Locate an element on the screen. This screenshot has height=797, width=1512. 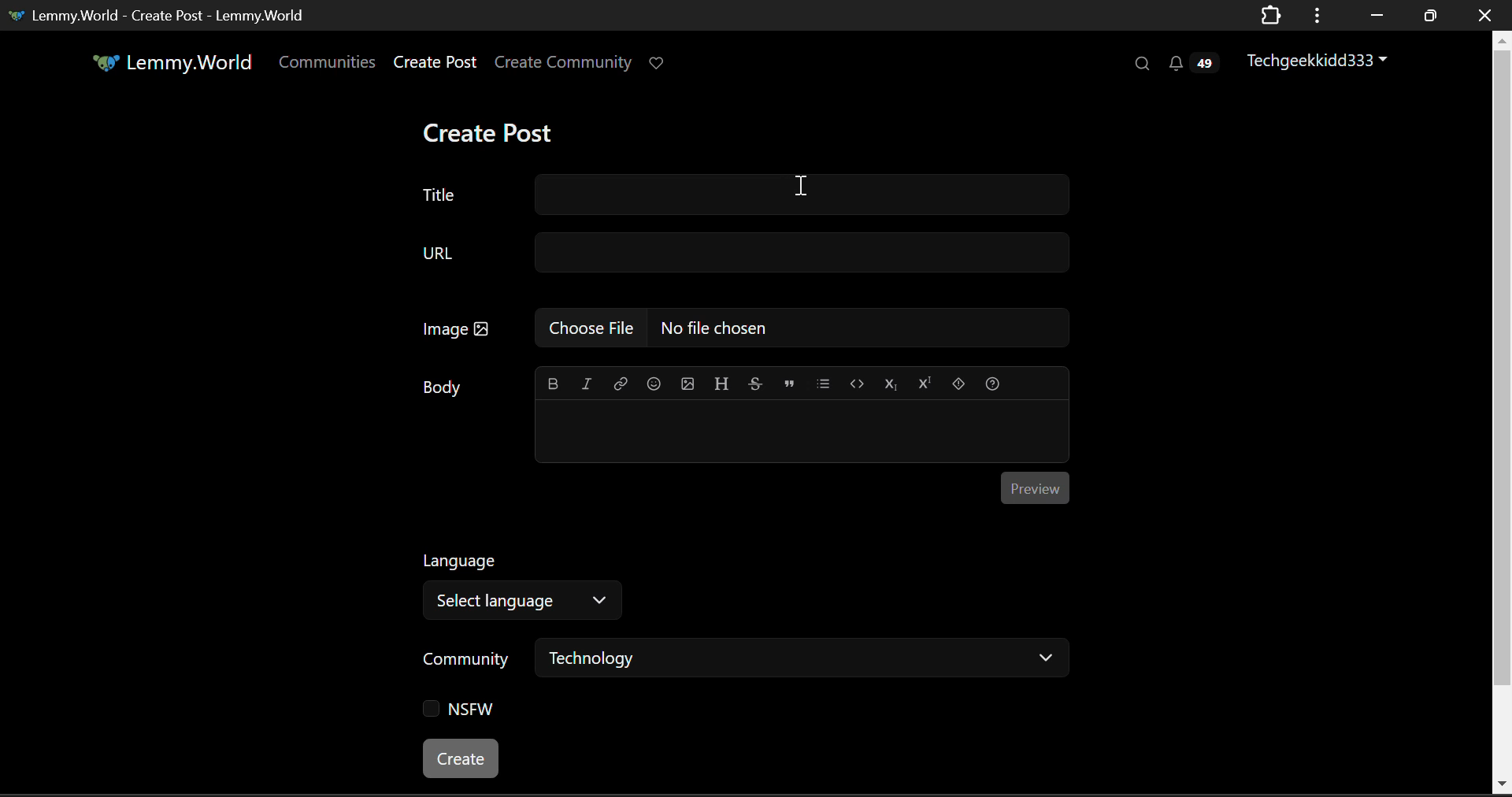
Select Language is located at coordinates (530, 581).